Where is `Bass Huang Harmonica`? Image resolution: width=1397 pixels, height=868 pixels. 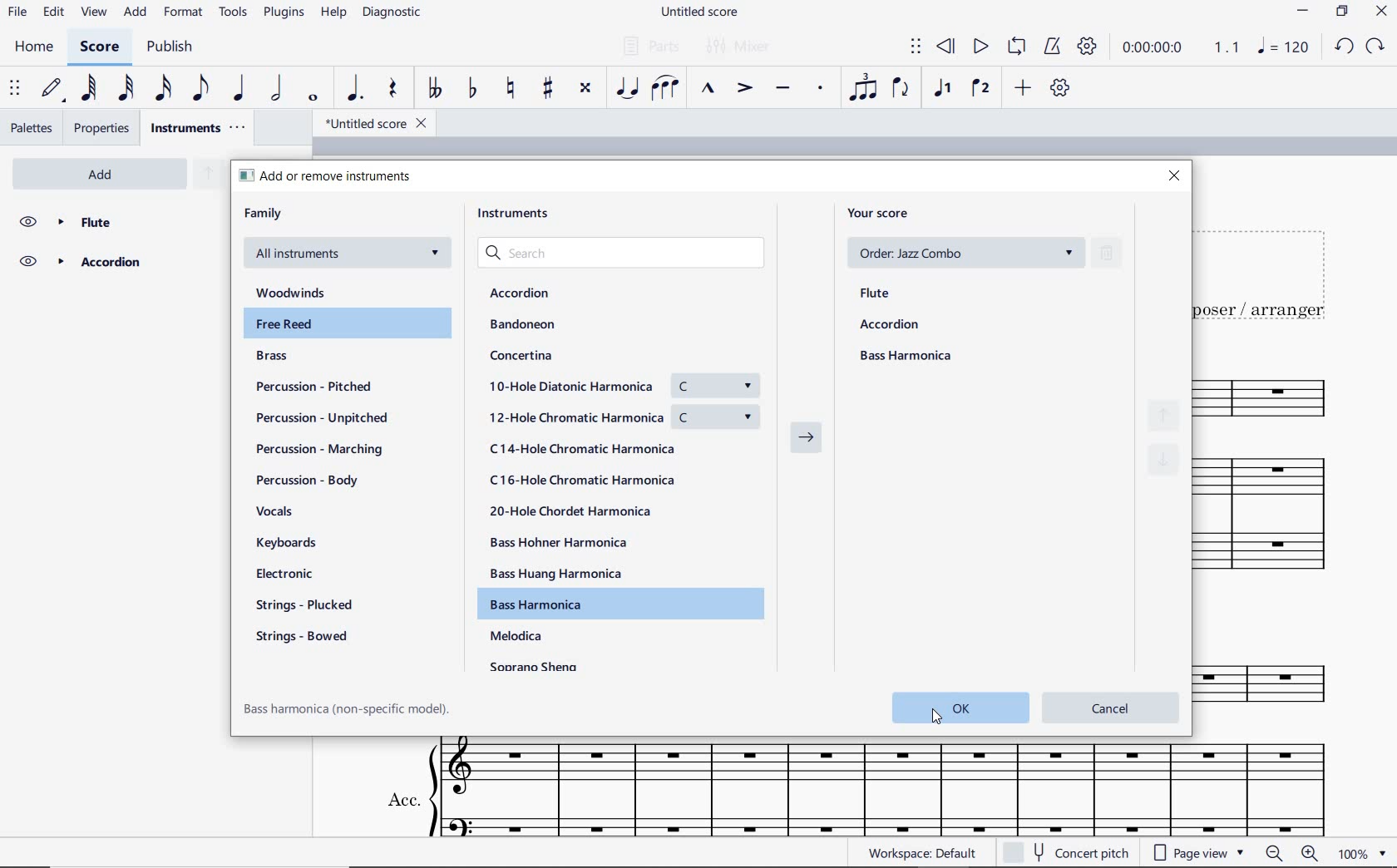 Bass Huang Harmonica is located at coordinates (553, 574).